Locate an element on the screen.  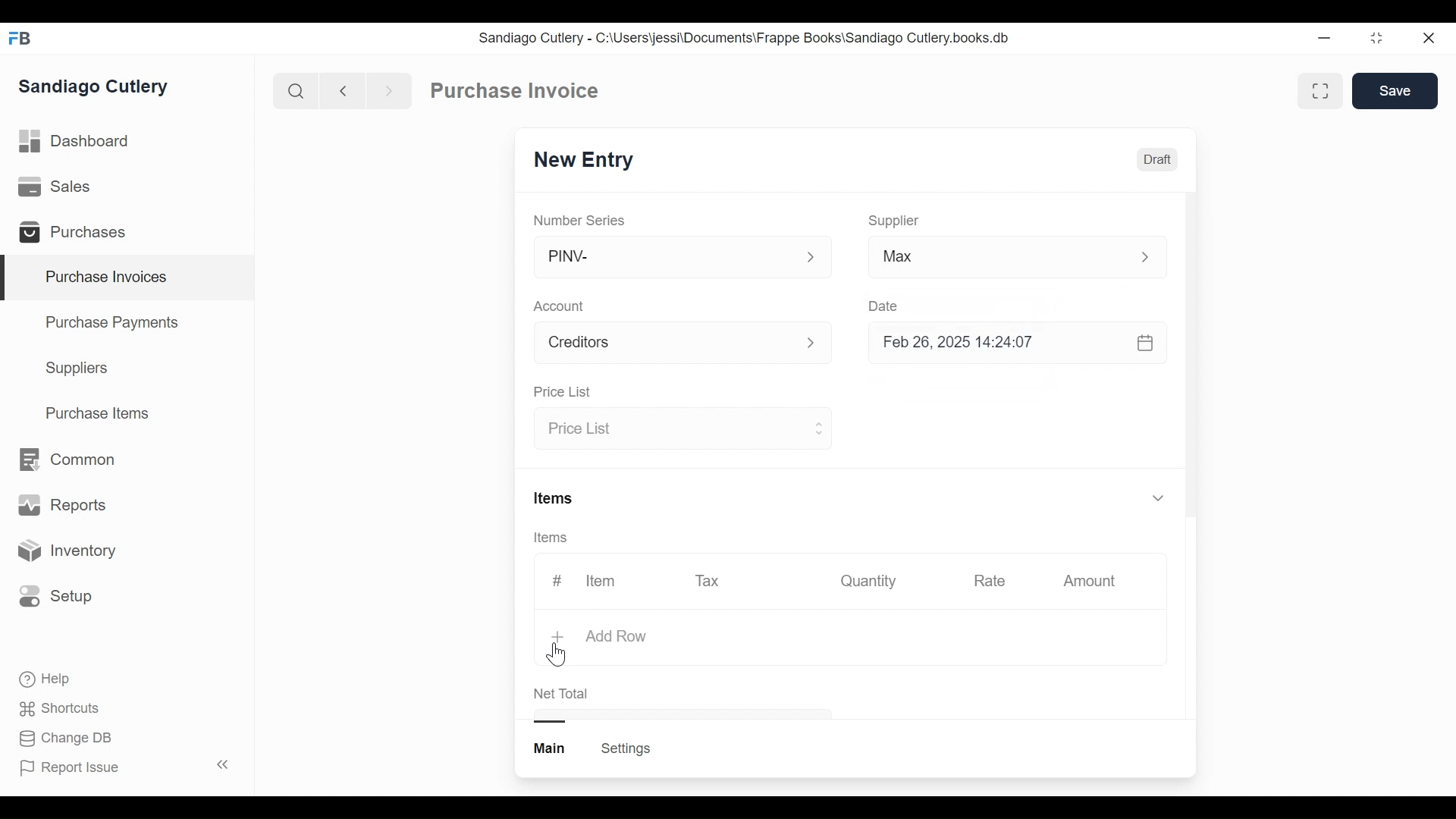
Dashboard is located at coordinates (76, 142).